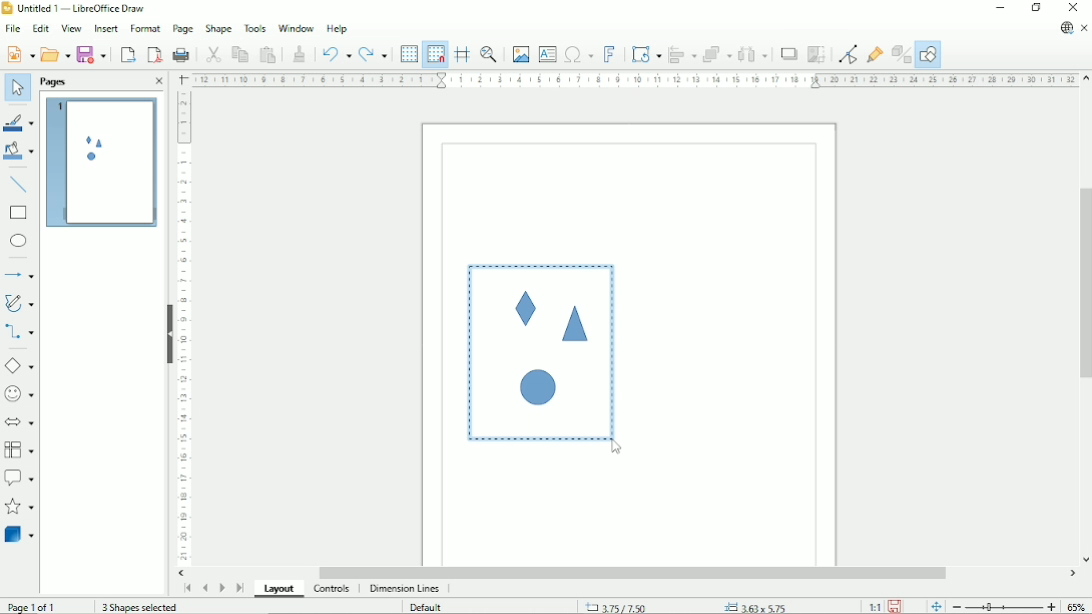 Image resolution: width=1092 pixels, height=614 pixels. I want to click on Insert fontwork text, so click(609, 54).